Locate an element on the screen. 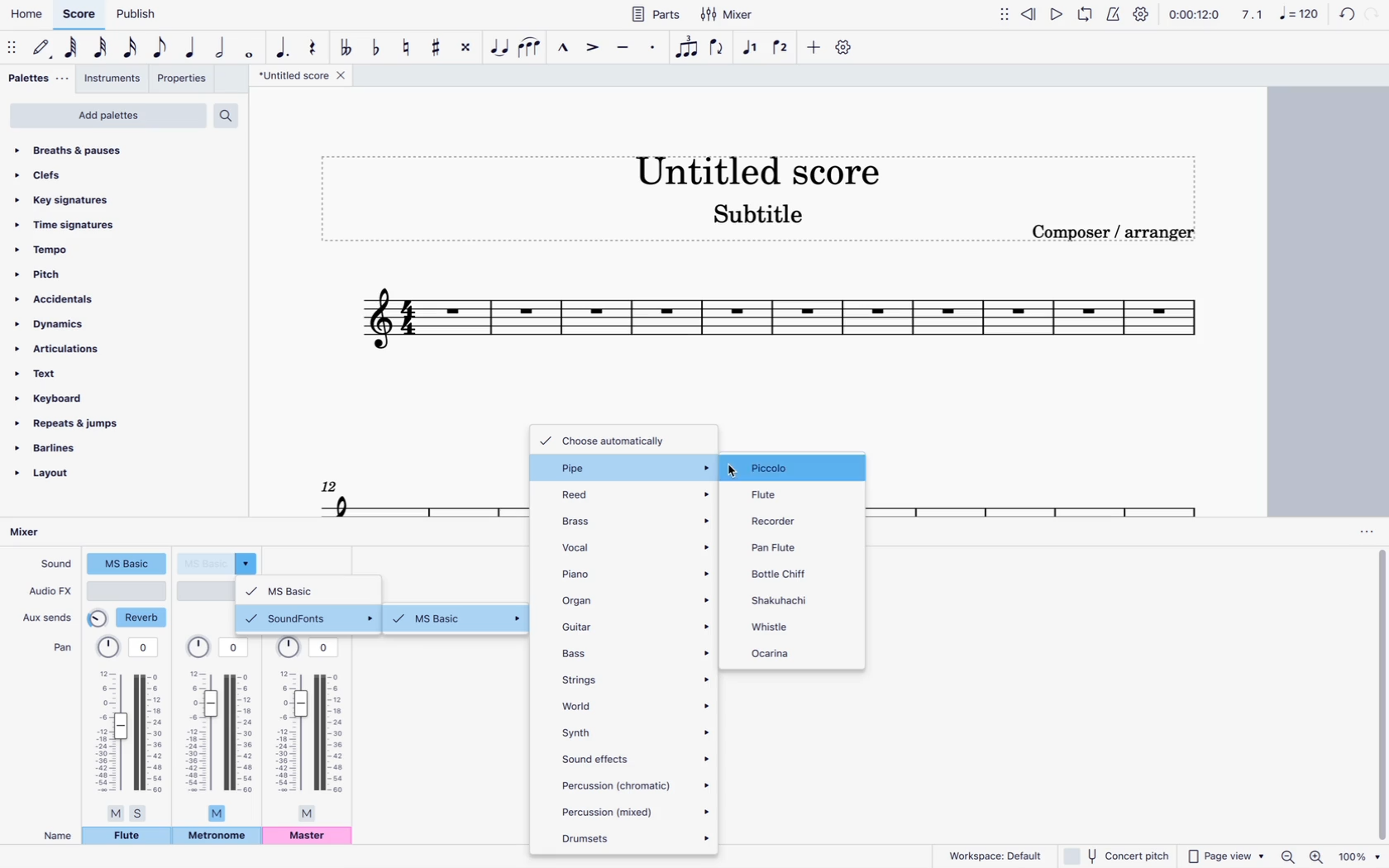 The height and width of the screenshot is (868, 1389). eight note is located at coordinates (161, 47).